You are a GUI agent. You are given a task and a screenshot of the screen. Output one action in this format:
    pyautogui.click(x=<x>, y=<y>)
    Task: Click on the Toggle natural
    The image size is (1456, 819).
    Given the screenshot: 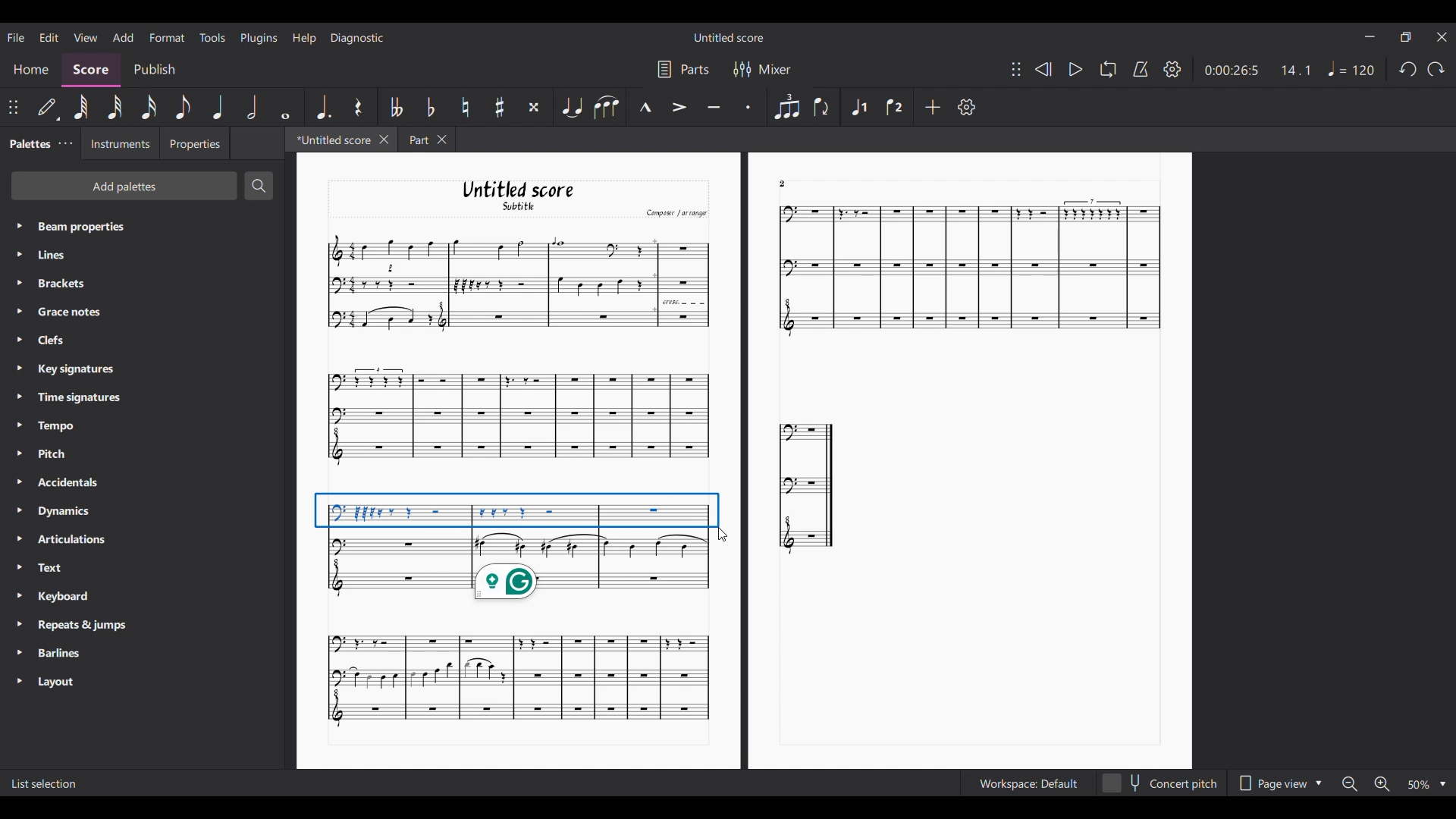 What is the action you would take?
    pyautogui.click(x=465, y=107)
    